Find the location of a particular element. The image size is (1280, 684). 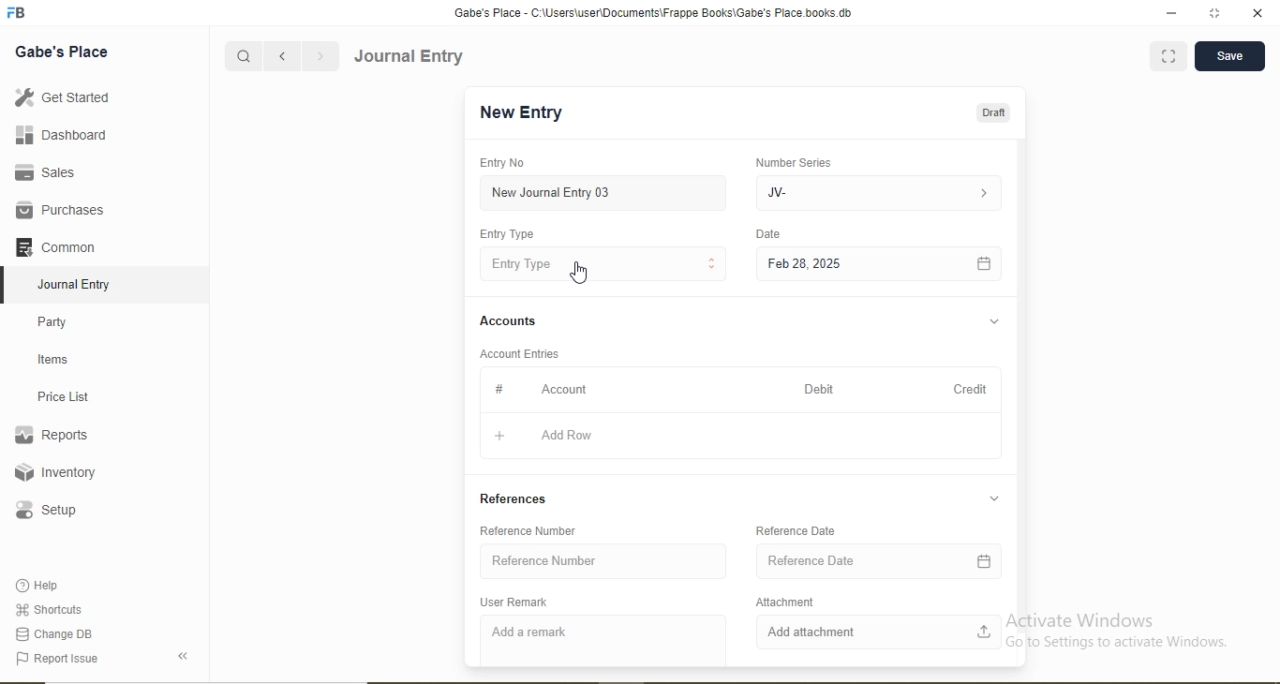

Number Series is located at coordinates (793, 163).